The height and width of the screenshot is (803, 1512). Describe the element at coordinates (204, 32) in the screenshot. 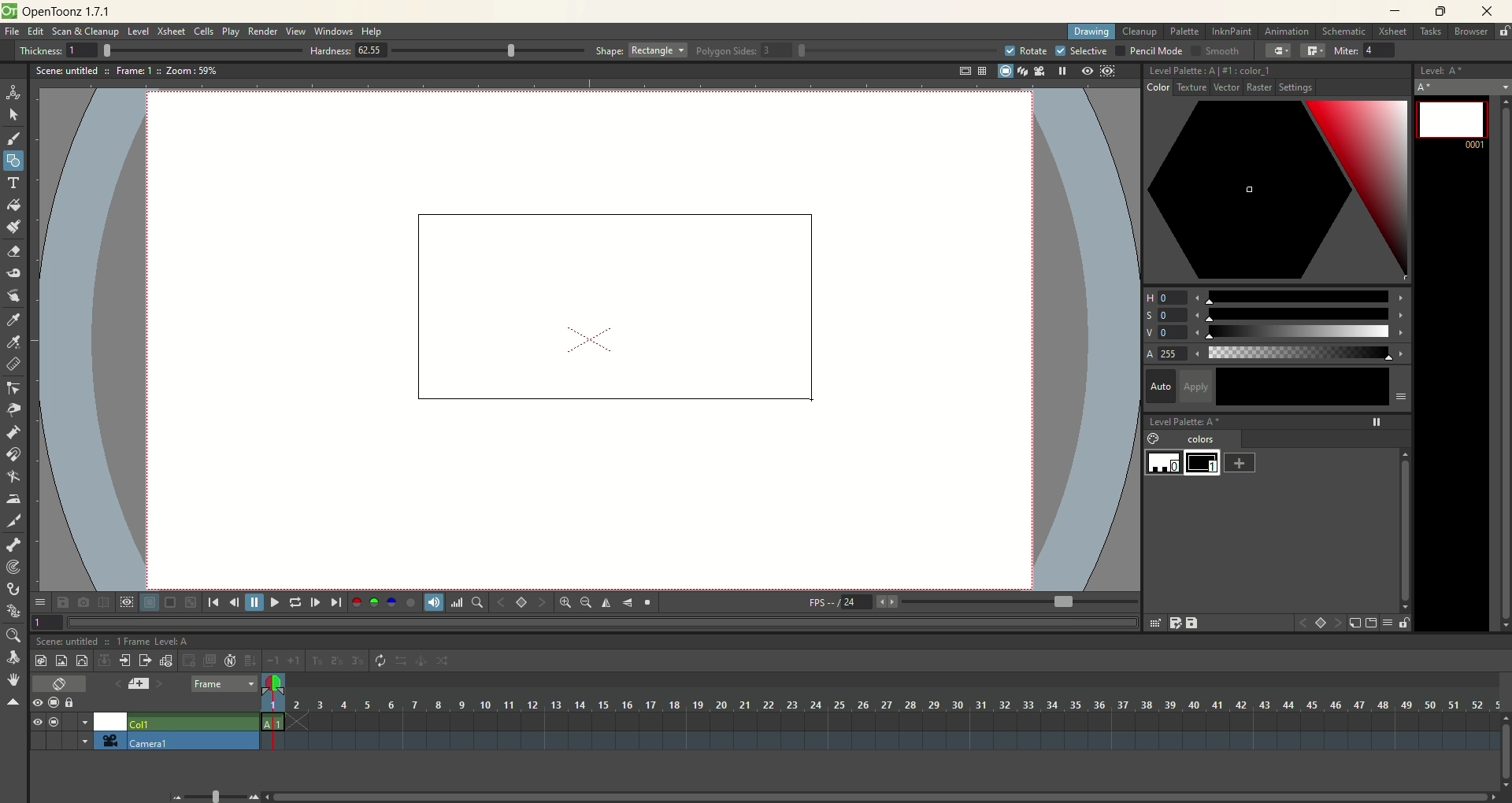

I see `cells` at that location.